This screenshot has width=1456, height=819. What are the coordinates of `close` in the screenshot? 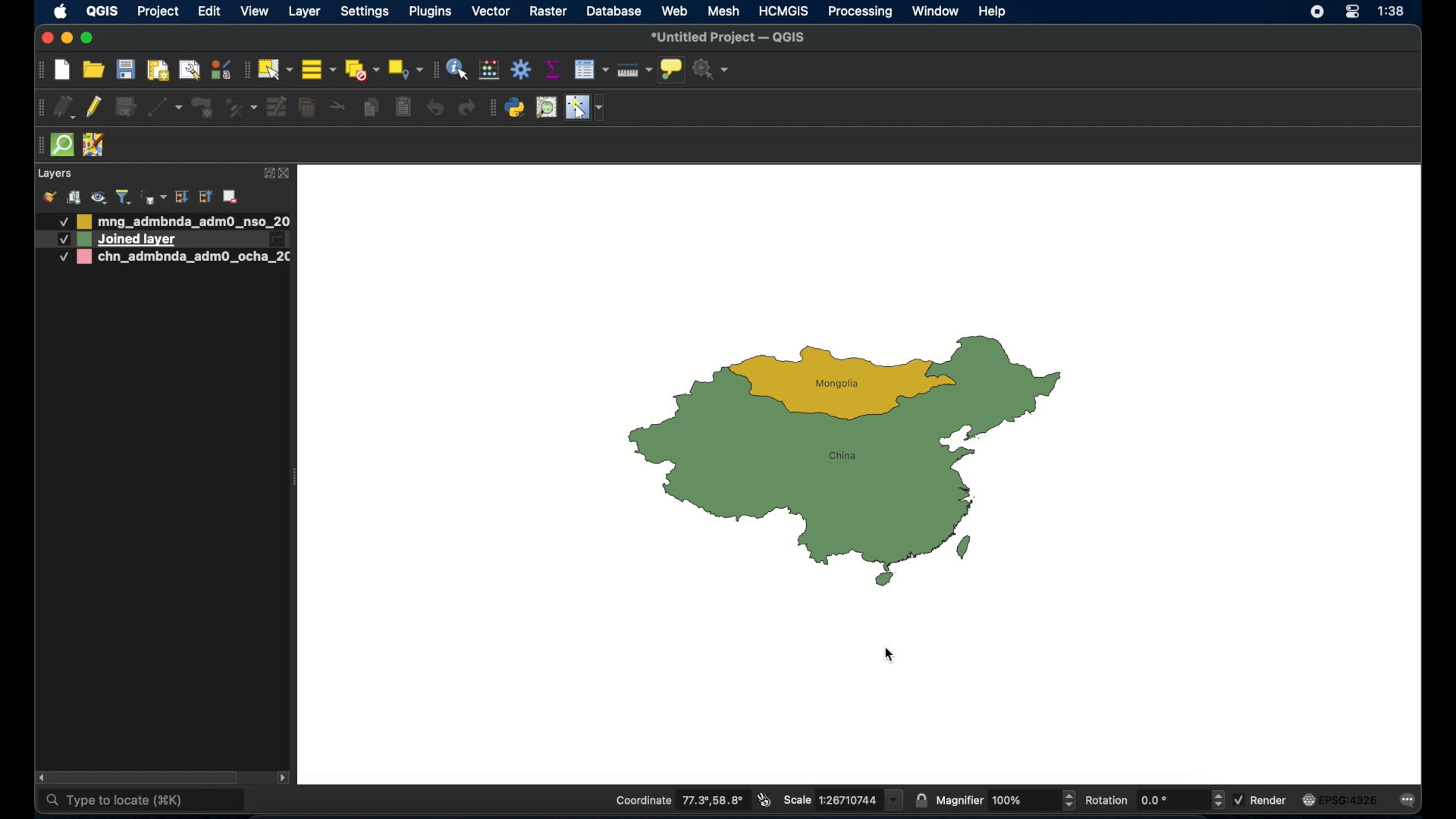 It's located at (288, 174).